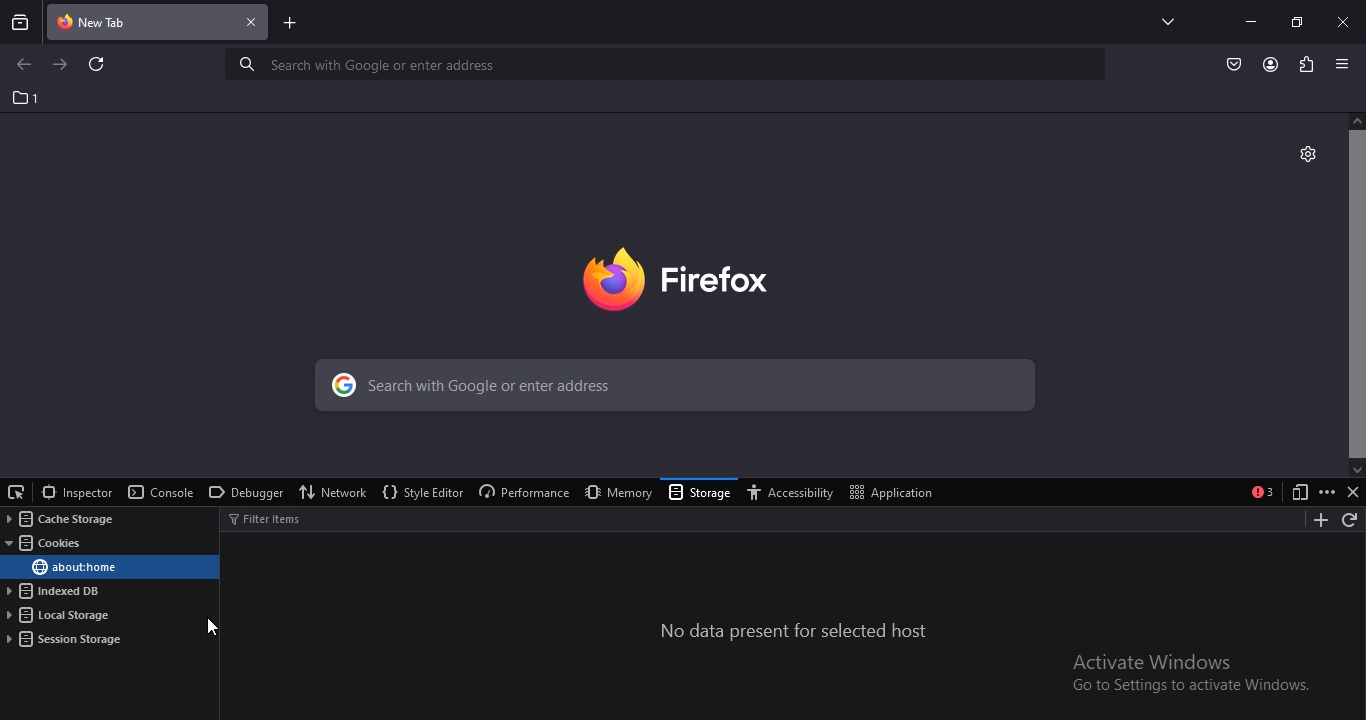 The width and height of the screenshot is (1366, 720). I want to click on accessibilty, so click(795, 493).